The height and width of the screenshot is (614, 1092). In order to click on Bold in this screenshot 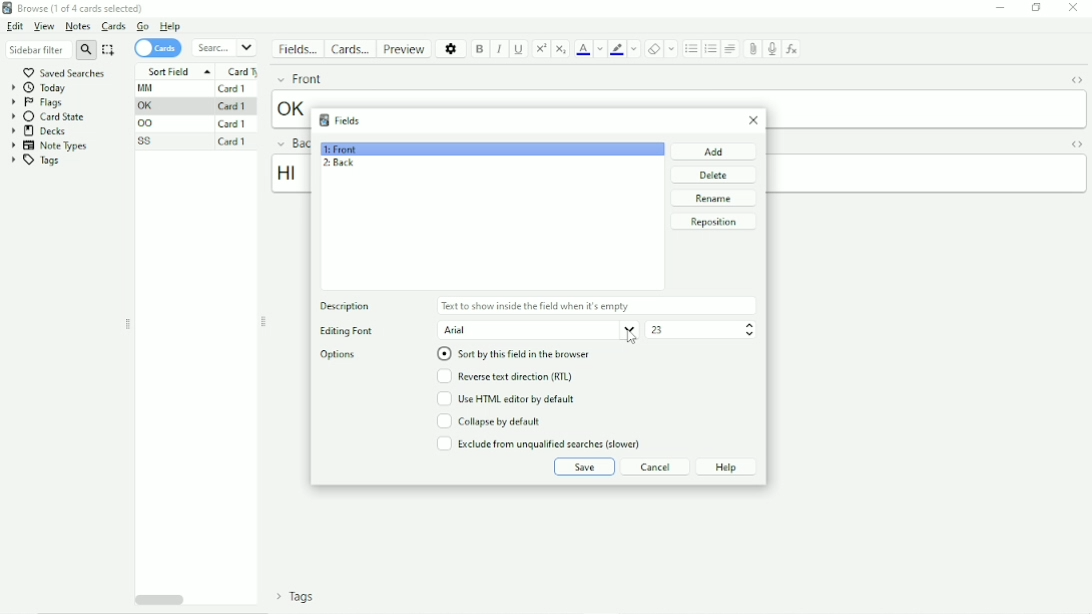, I will do `click(481, 49)`.